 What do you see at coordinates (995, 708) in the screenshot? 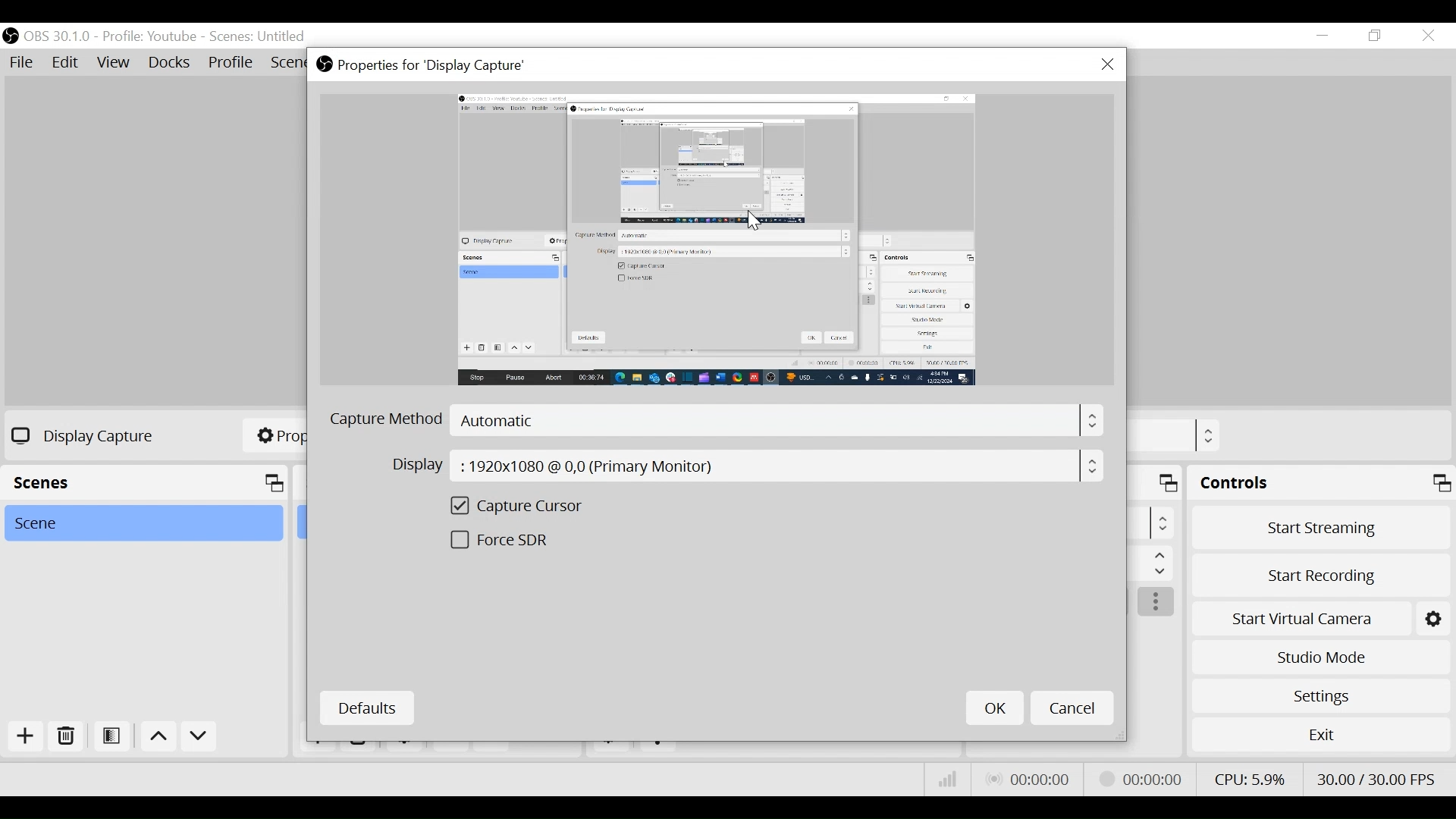
I see `OK` at bounding box center [995, 708].